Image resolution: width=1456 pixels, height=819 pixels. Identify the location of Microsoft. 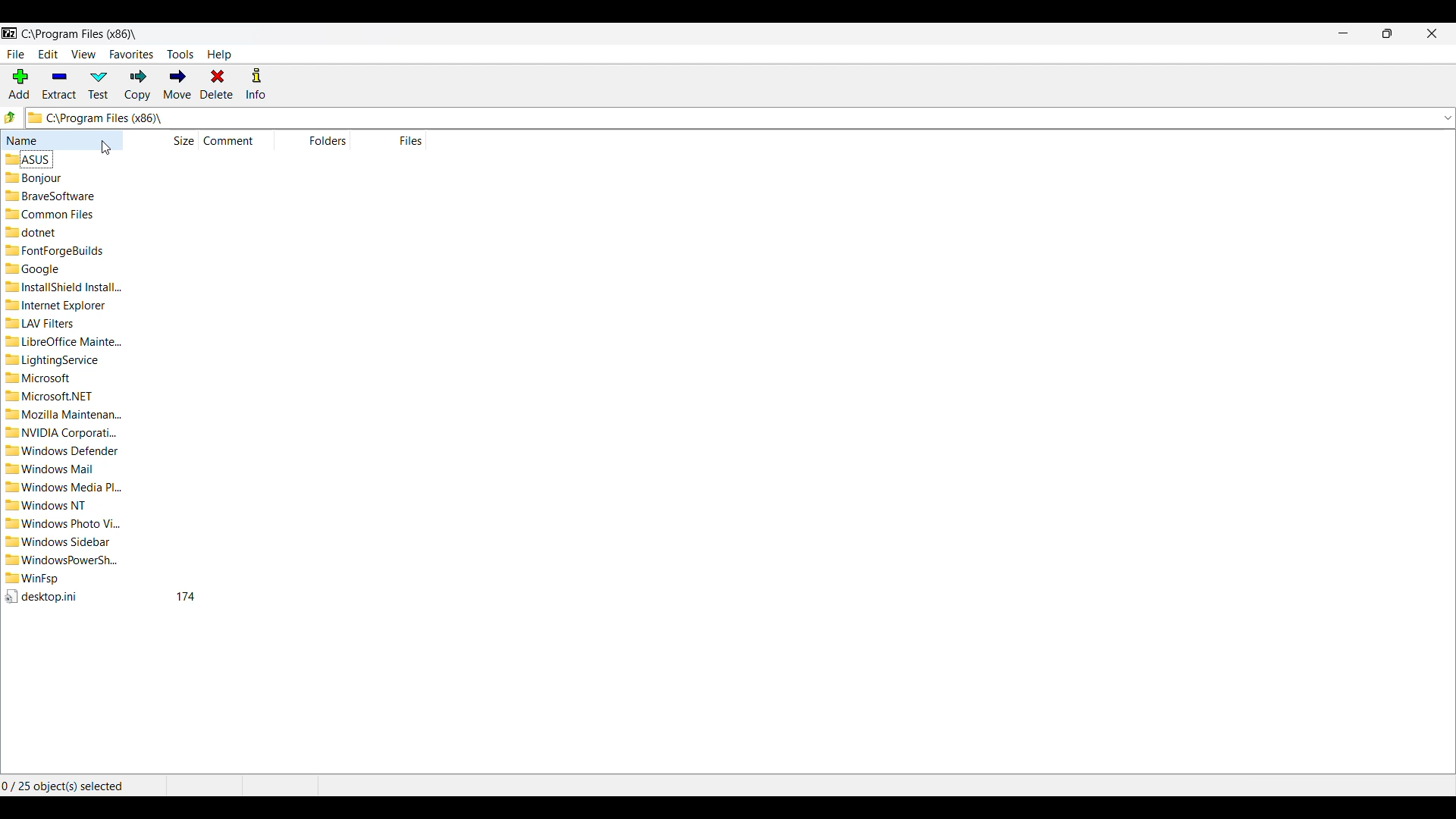
(47, 378).